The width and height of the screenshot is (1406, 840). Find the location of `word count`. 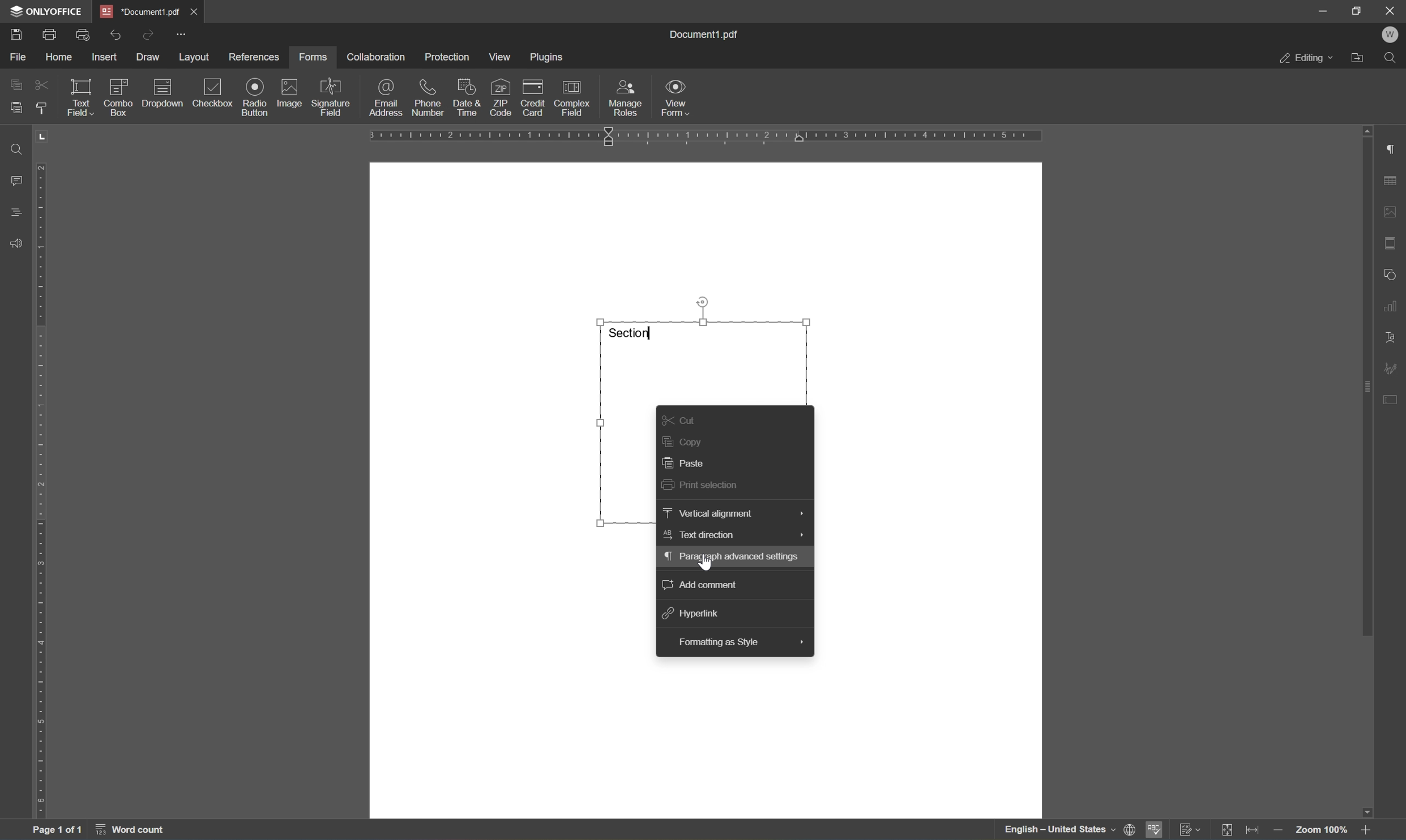

word count is located at coordinates (140, 831).